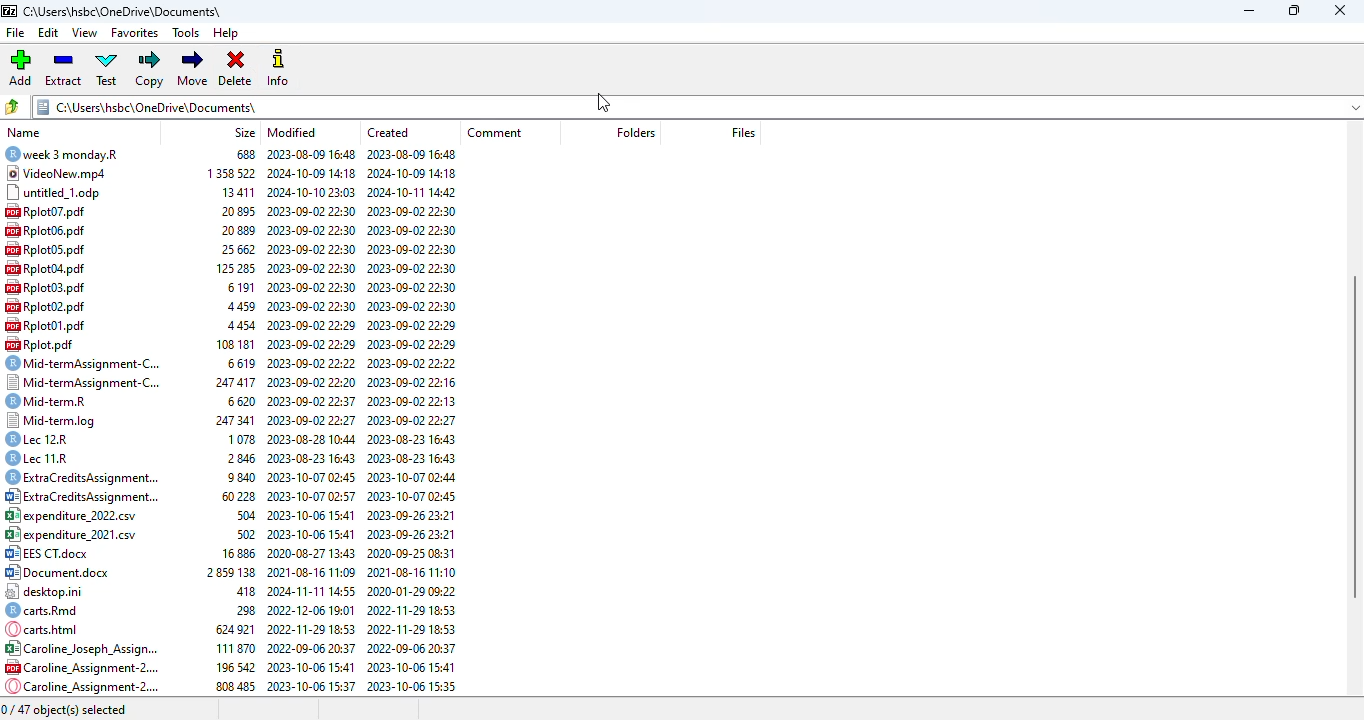 The image size is (1364, 720). I want to click on 2023-10-06 15:41, so click(312, 537).